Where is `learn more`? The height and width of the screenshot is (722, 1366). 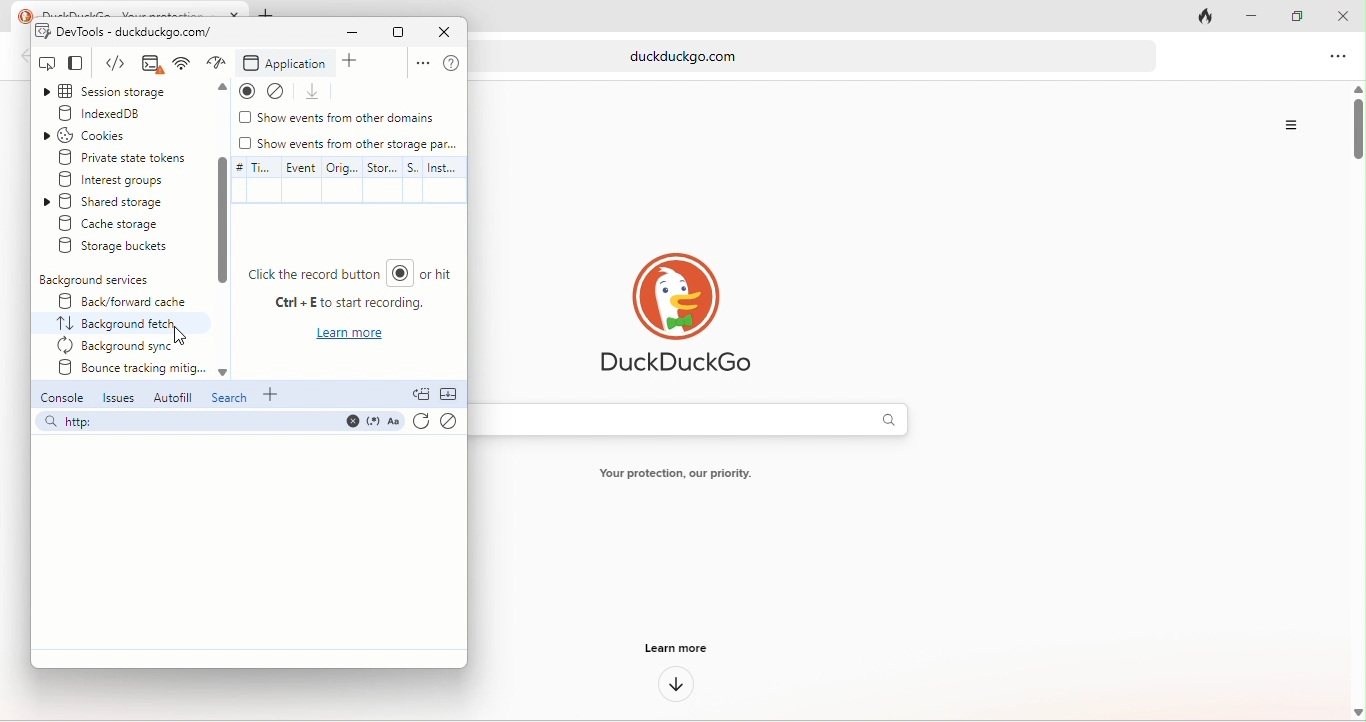 learn more is located at coordinates (673, 647).